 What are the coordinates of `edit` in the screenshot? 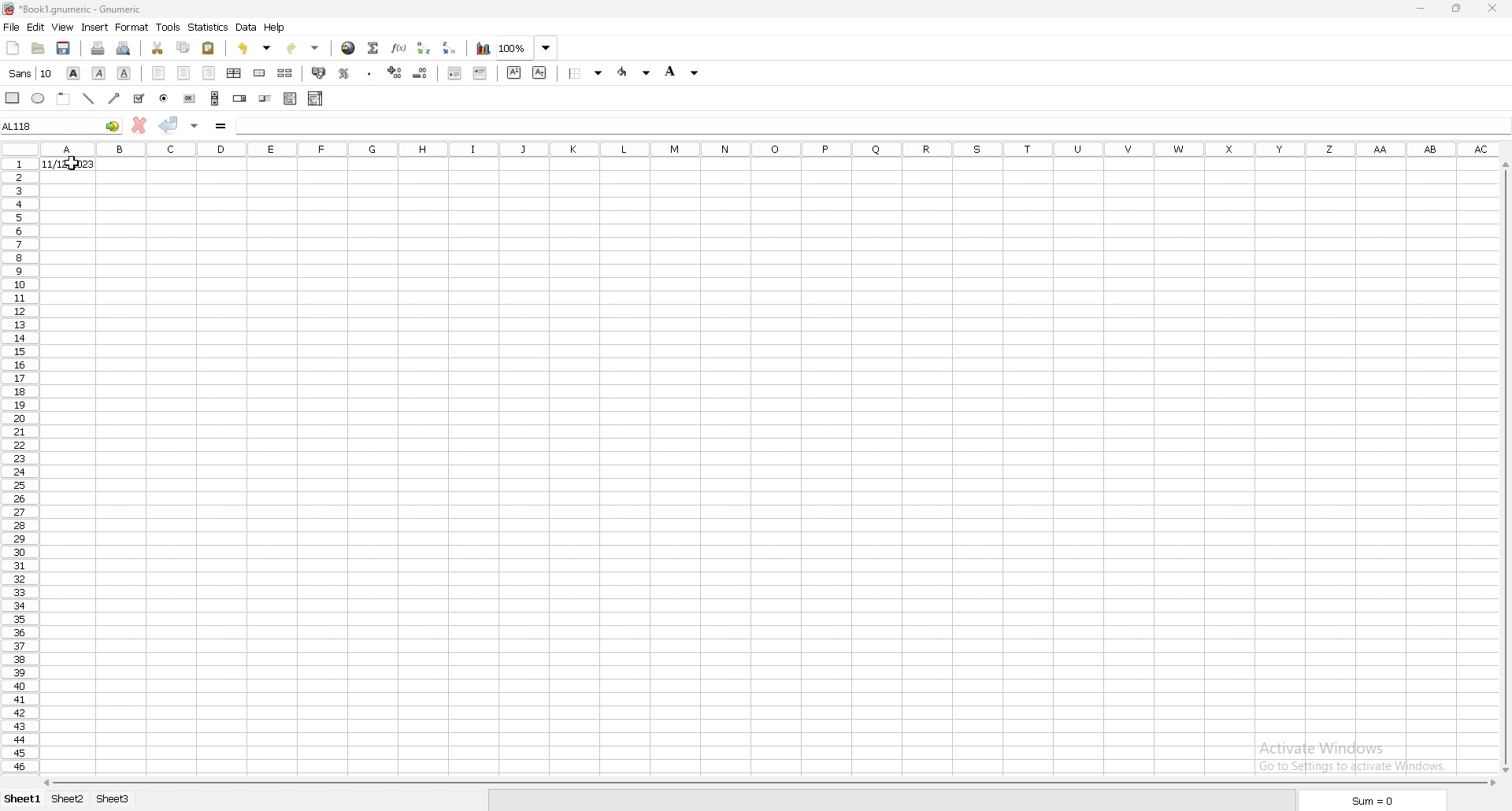 It's located at (36, 27).